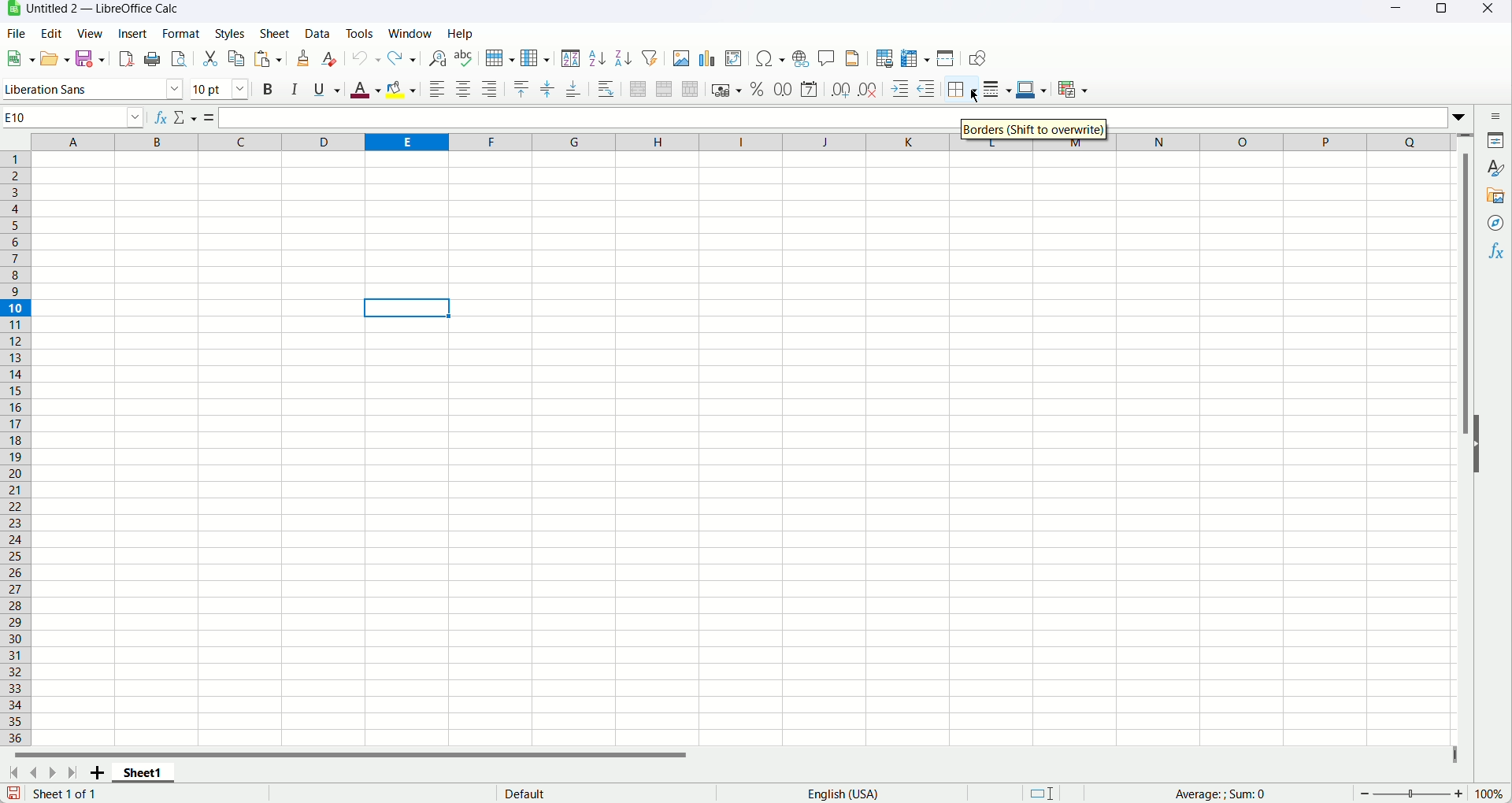 The image size is (1512, 803). I want to click on Sort descending, so click(624, 57).